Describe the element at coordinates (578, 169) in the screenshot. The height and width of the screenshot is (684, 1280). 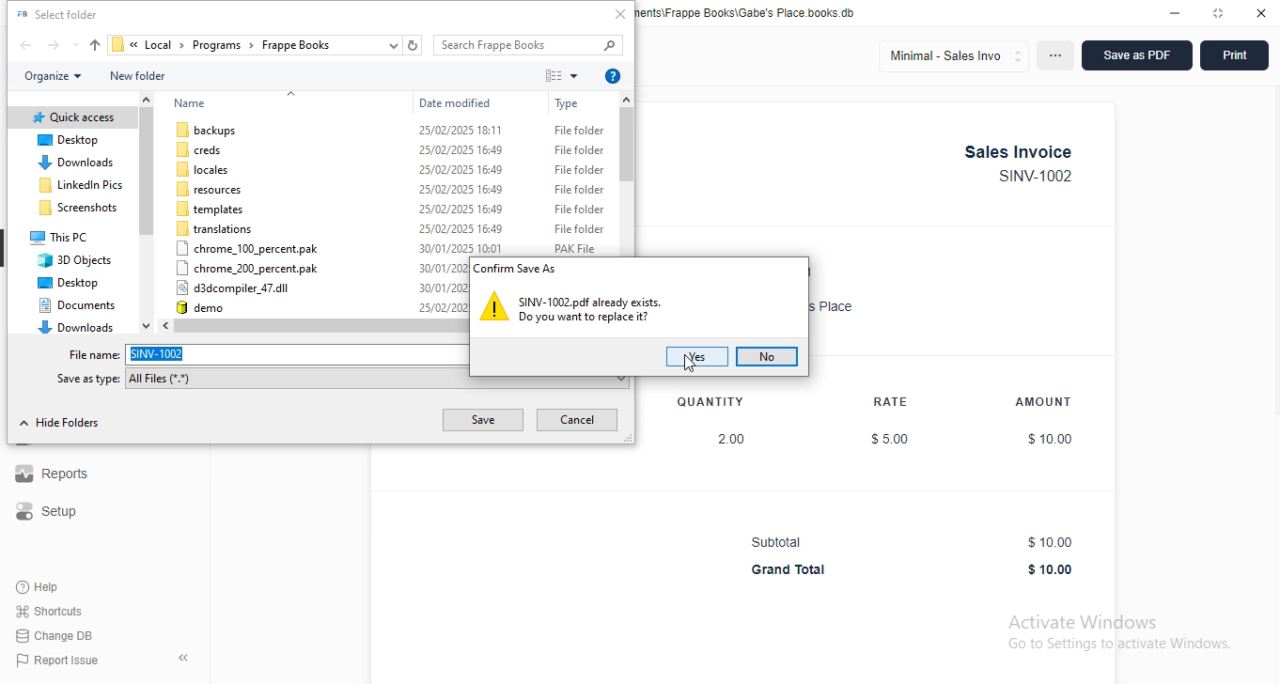
I see `file folder` at that location.